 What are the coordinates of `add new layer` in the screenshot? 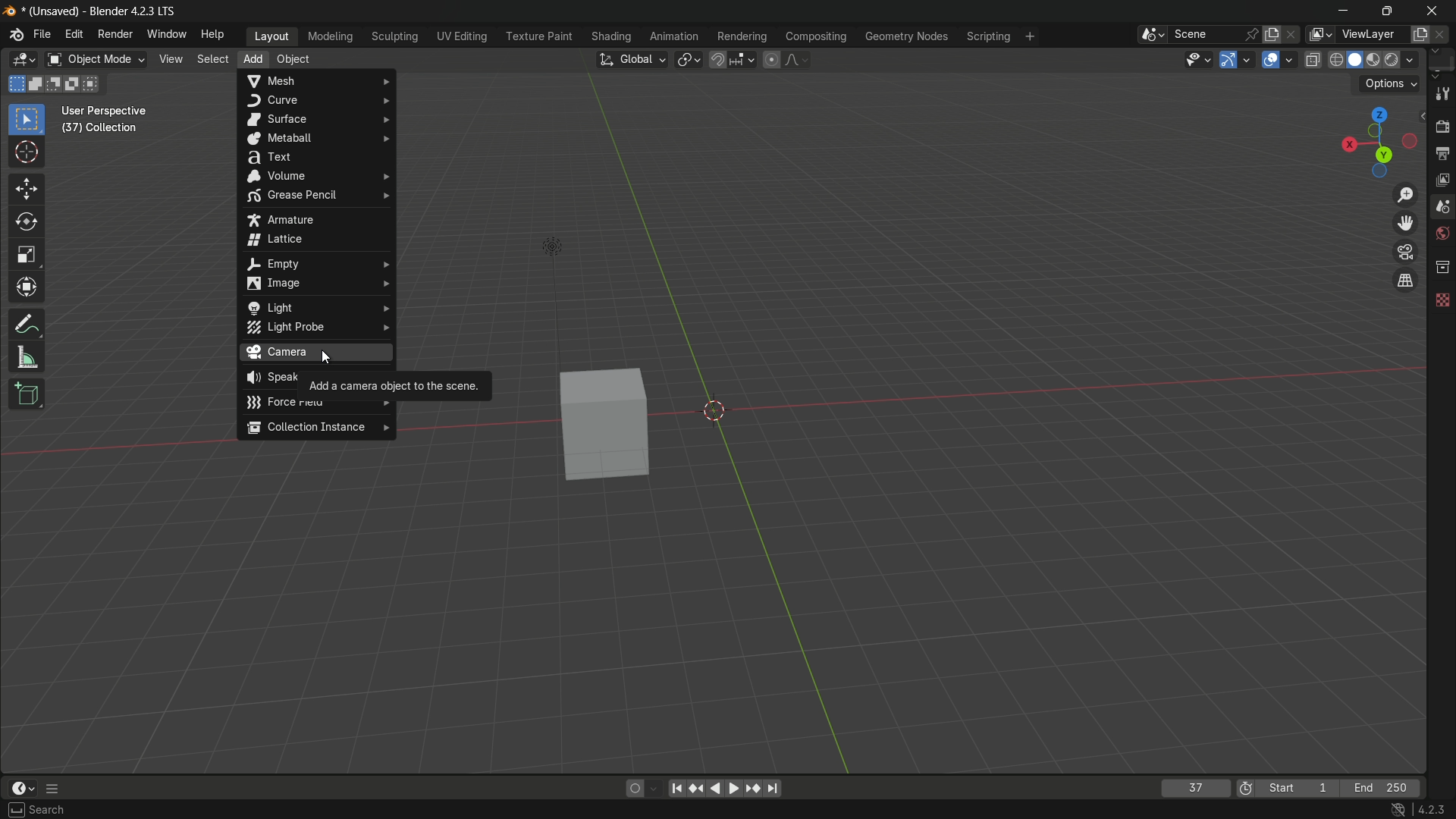 It's located at (1420, 34).